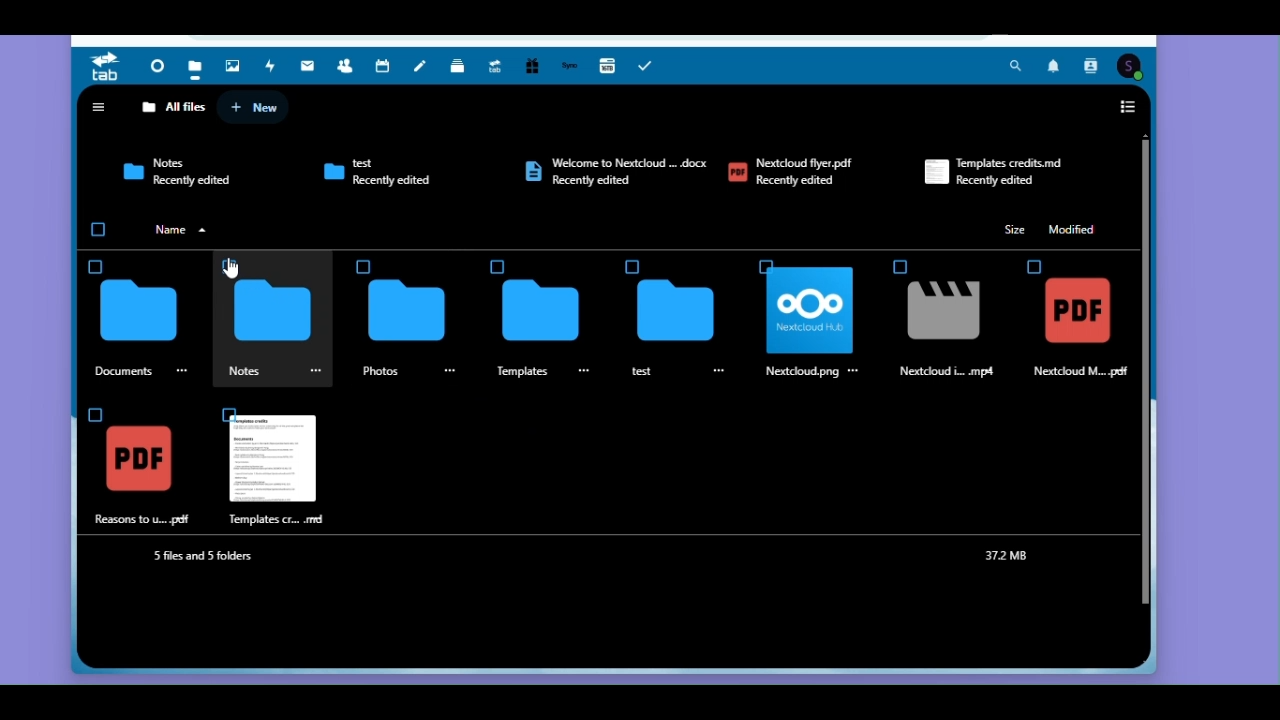 The height and width of the screenshot is (720, 1280). I want to click on Checkbox, so click(100, 230).